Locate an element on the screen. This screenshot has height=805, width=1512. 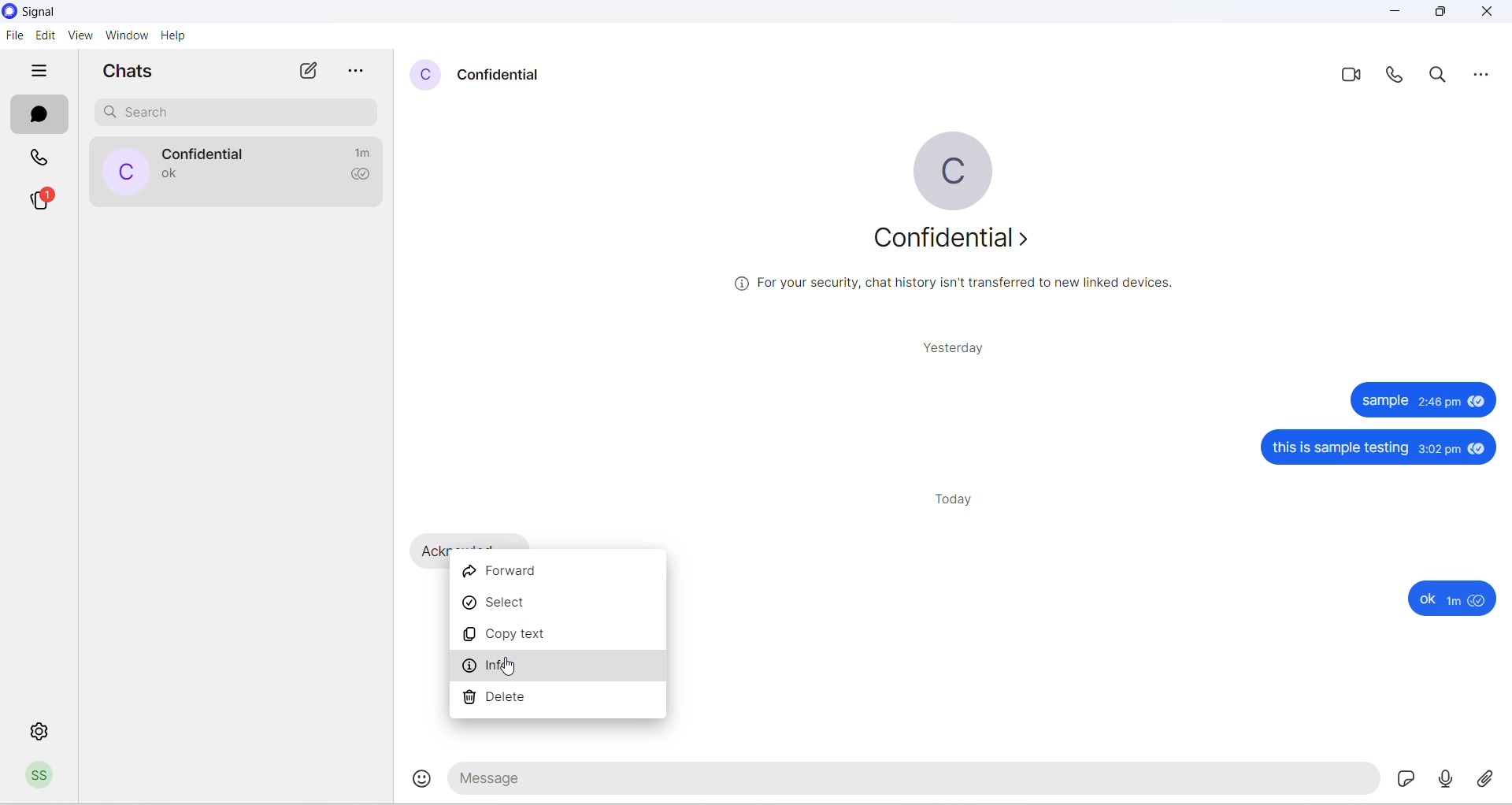
time passed since last message is located at coordinates (362, 152).